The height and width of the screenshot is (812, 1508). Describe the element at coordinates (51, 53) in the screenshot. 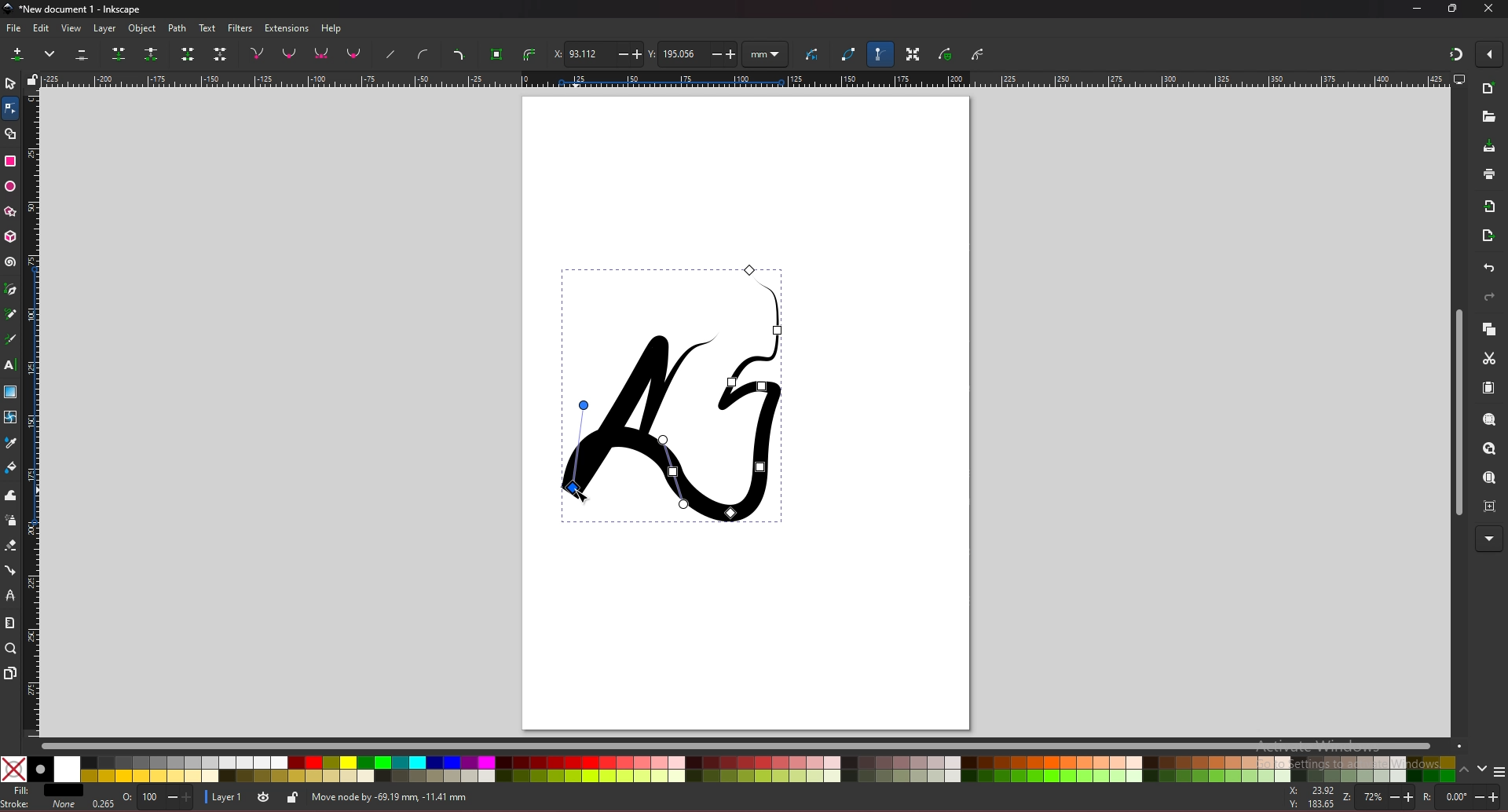

I see `more` at that location.